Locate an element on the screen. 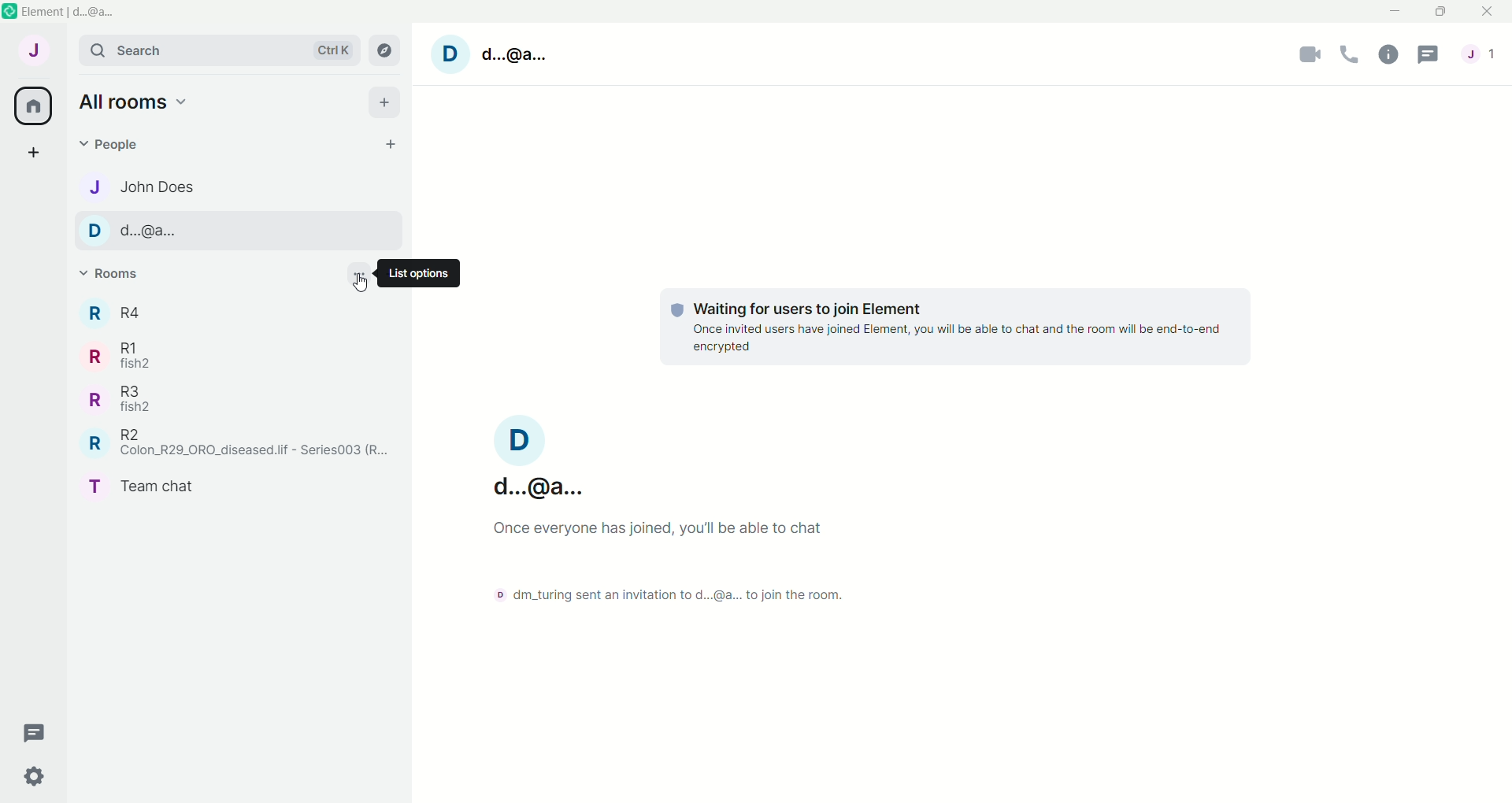 Image resolution: width=1512 pixels, height=803 pixels. Room R2 is located at coordinates (243, 444).